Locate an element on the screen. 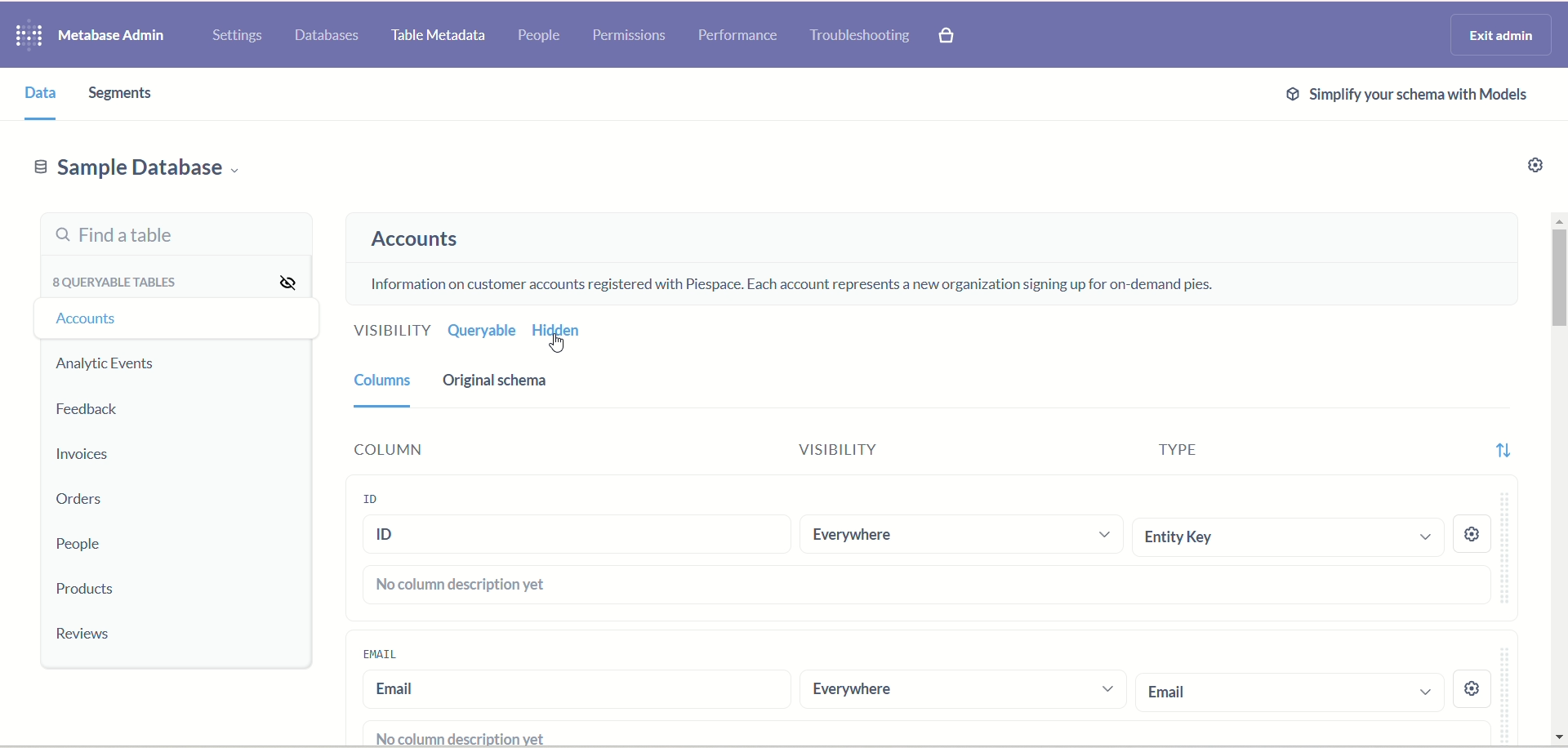 This screenshot has width=1568, height=748. products is located at coordinates (91, 591).